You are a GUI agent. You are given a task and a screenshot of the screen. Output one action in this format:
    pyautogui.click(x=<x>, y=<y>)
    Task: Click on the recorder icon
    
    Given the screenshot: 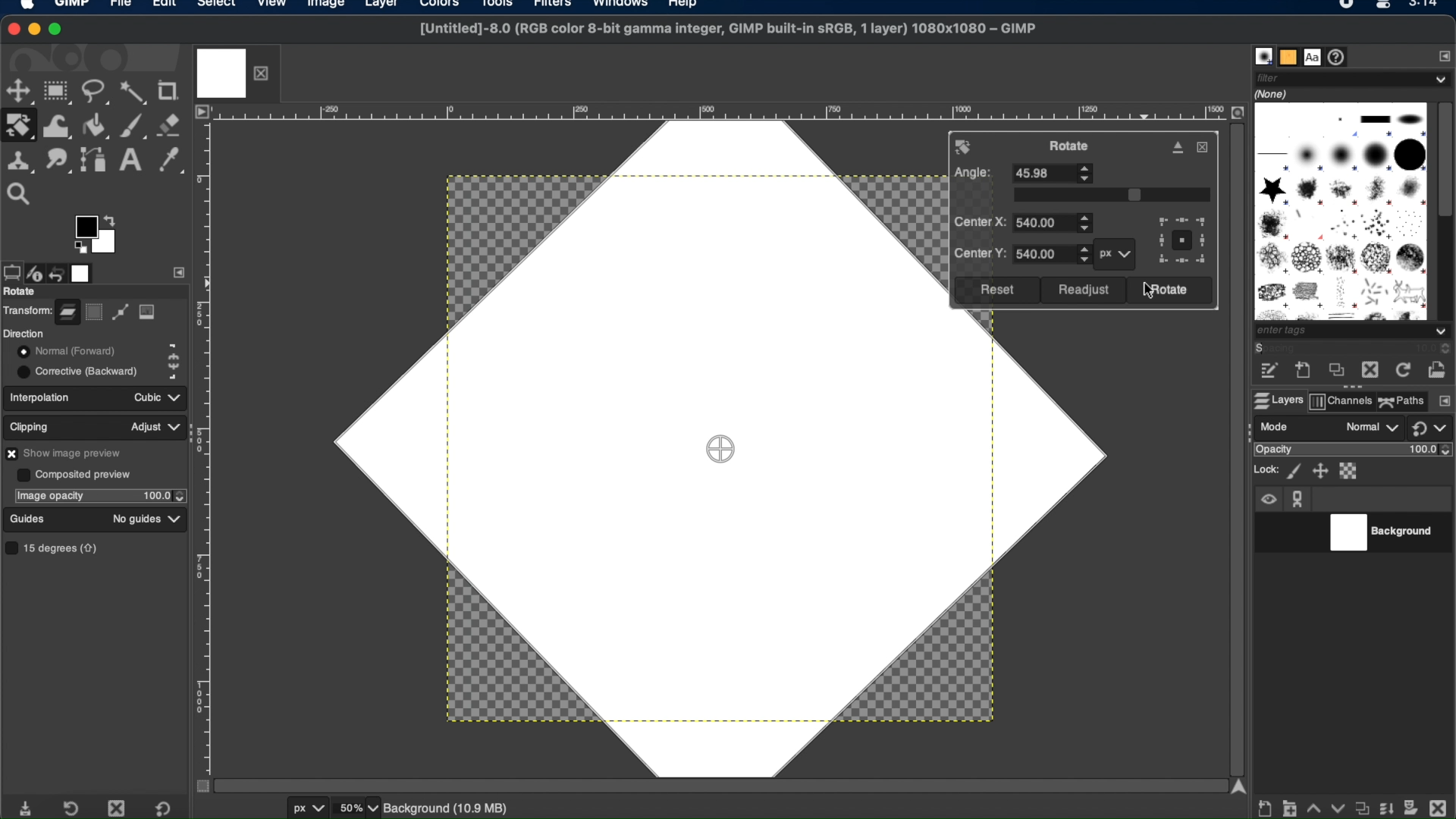 What is the action you would take?
    pyautogui.click(x=1345, y=6)
    